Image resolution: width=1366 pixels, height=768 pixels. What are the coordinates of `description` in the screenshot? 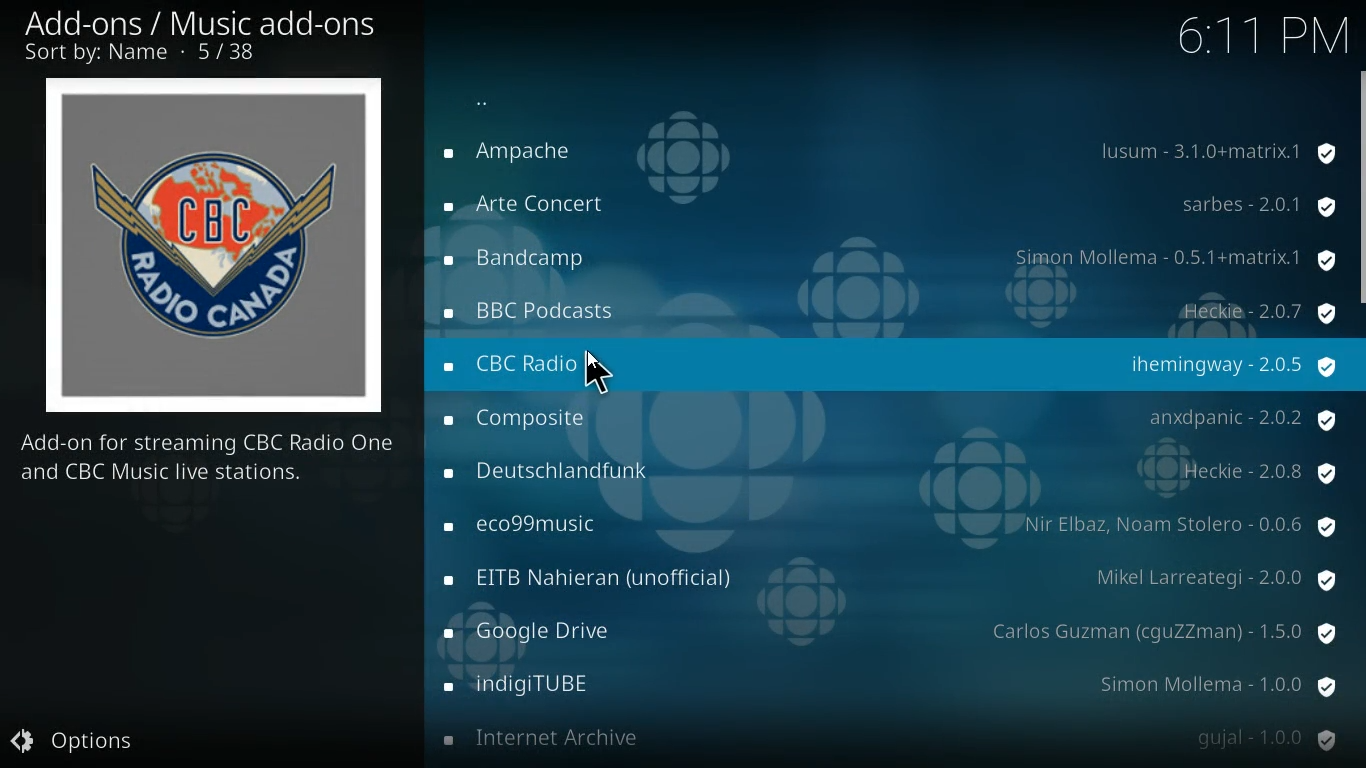 It's located at (213, 457).